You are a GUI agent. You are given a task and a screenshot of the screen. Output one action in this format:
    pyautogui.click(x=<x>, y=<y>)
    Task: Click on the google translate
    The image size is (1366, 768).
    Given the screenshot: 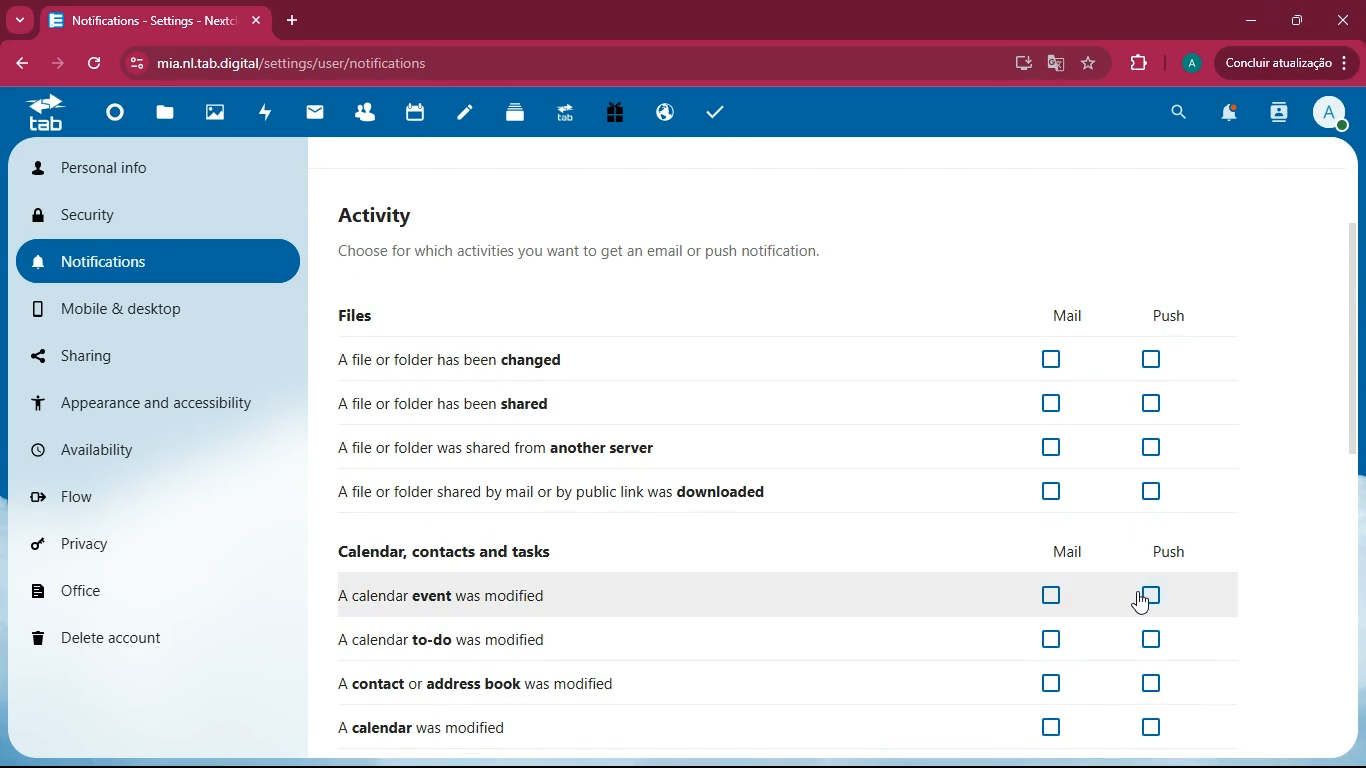 What is the action you would take?
    pyautogui.click(x=1055, y=65)
    